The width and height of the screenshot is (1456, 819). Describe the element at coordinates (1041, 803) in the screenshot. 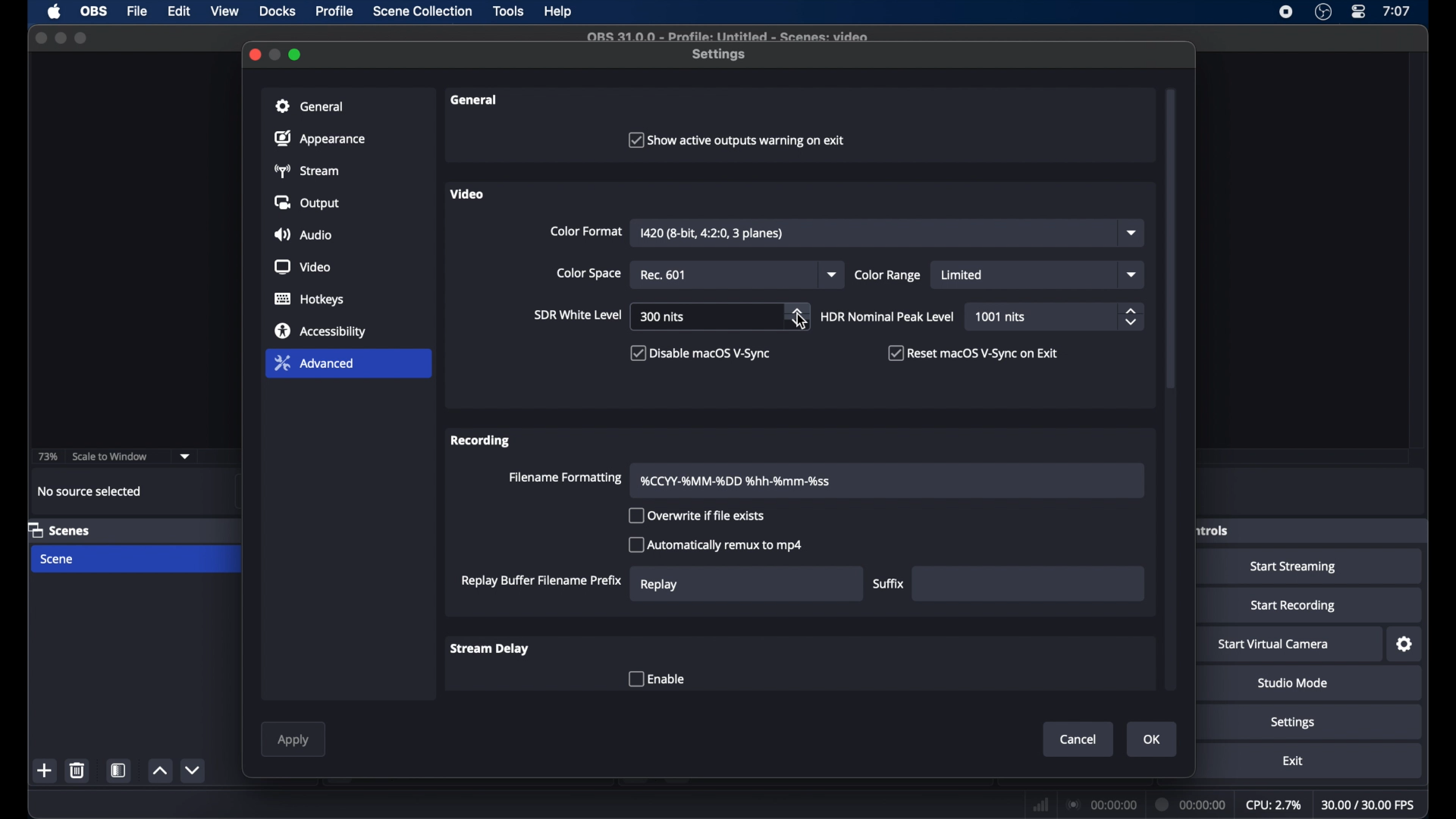

I see `network` at that location.